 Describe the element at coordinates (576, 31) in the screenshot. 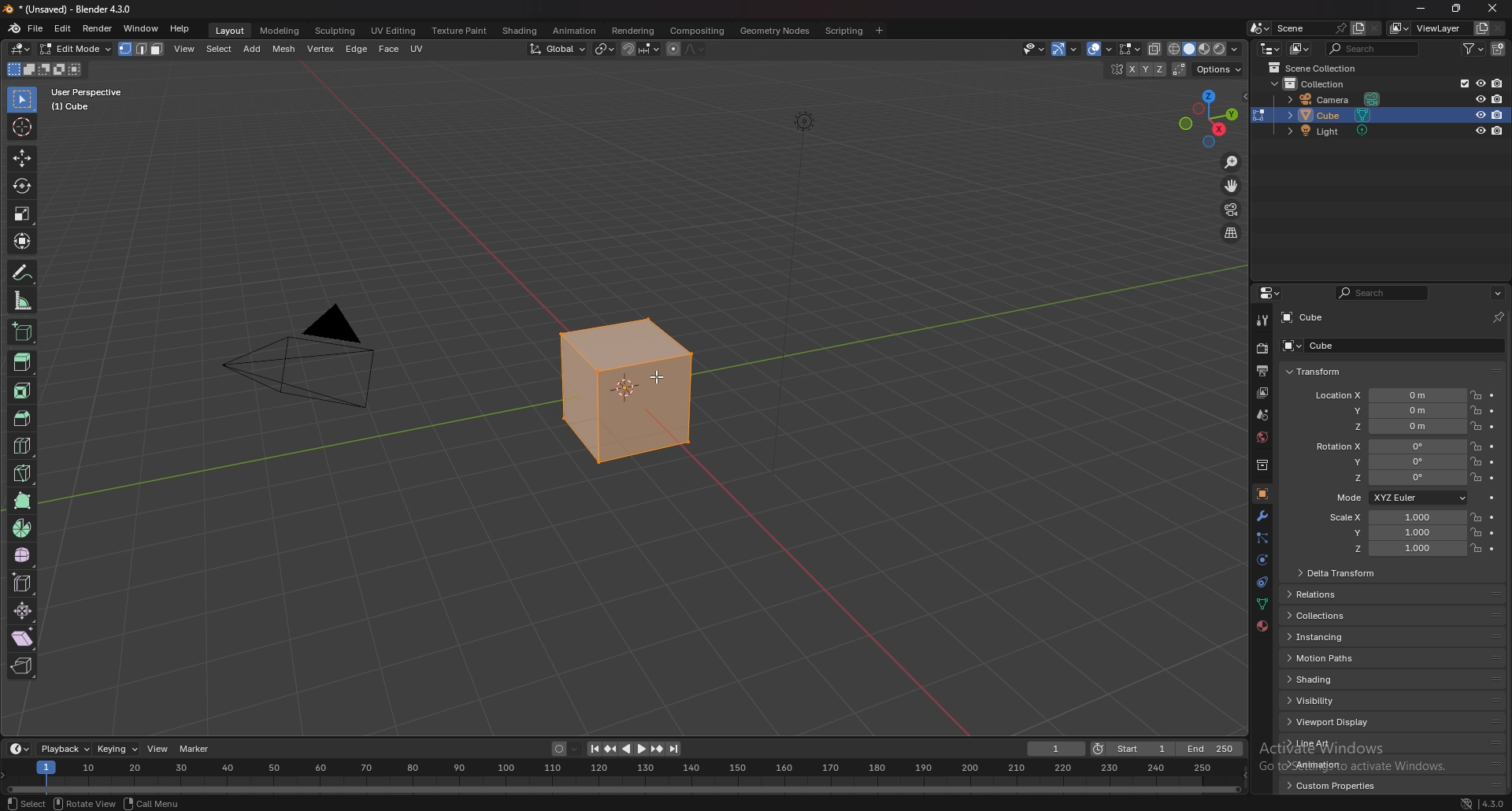

I see `animation` at that location.